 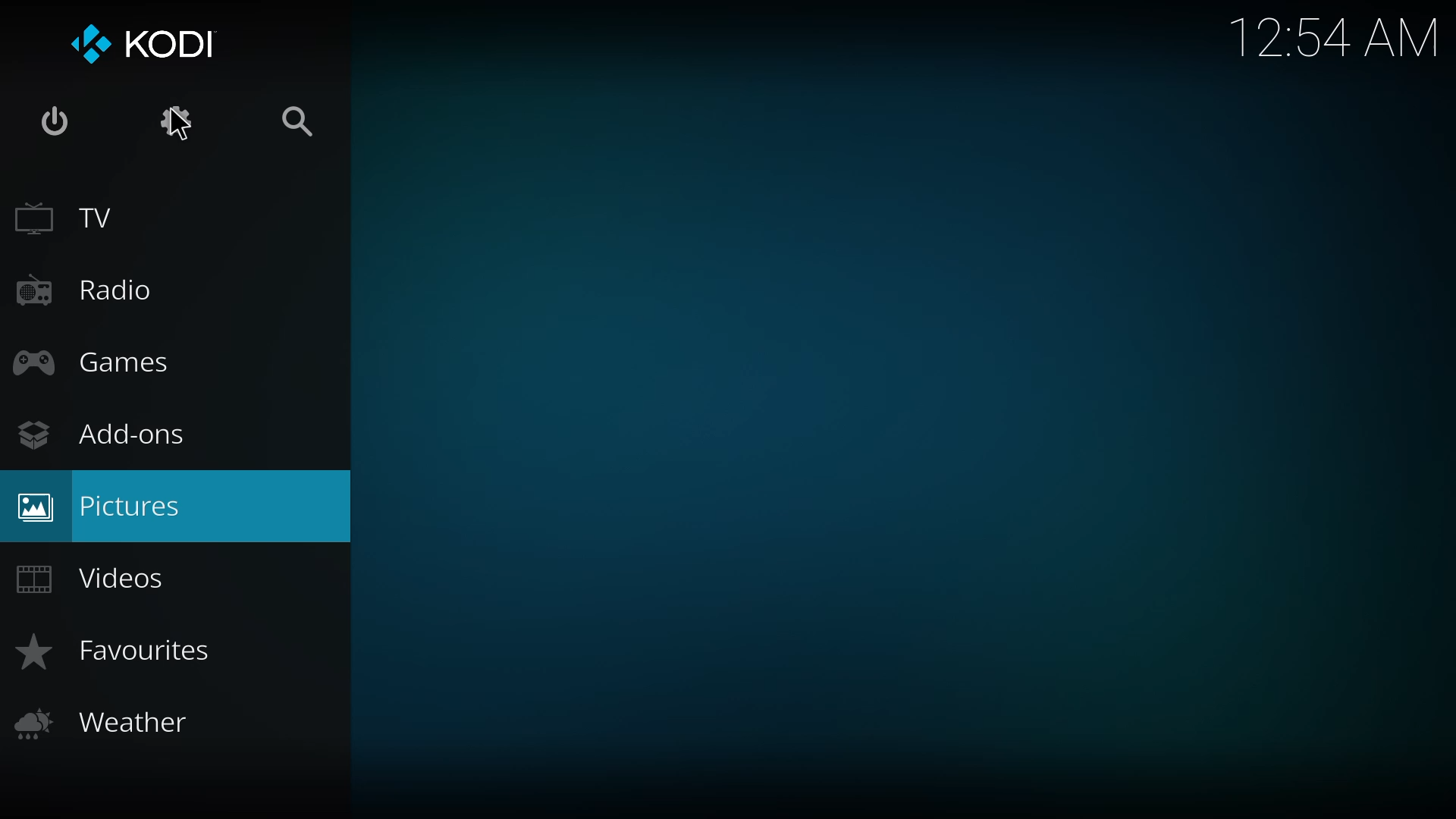 I want to click on pictures, so click(x=108, y=508).